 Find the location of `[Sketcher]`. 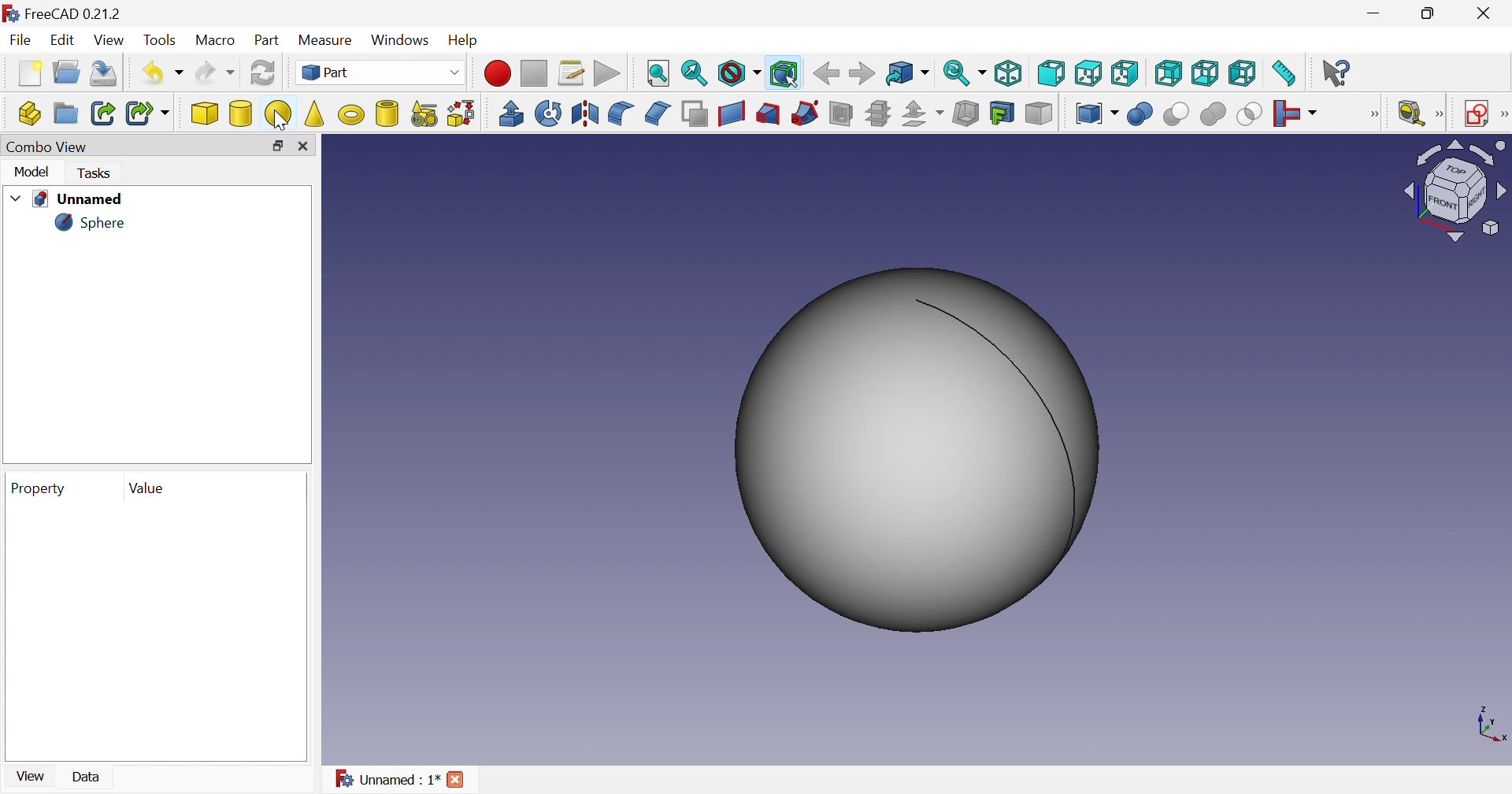

[Sketcher] is located at coordinates (1503, 114).